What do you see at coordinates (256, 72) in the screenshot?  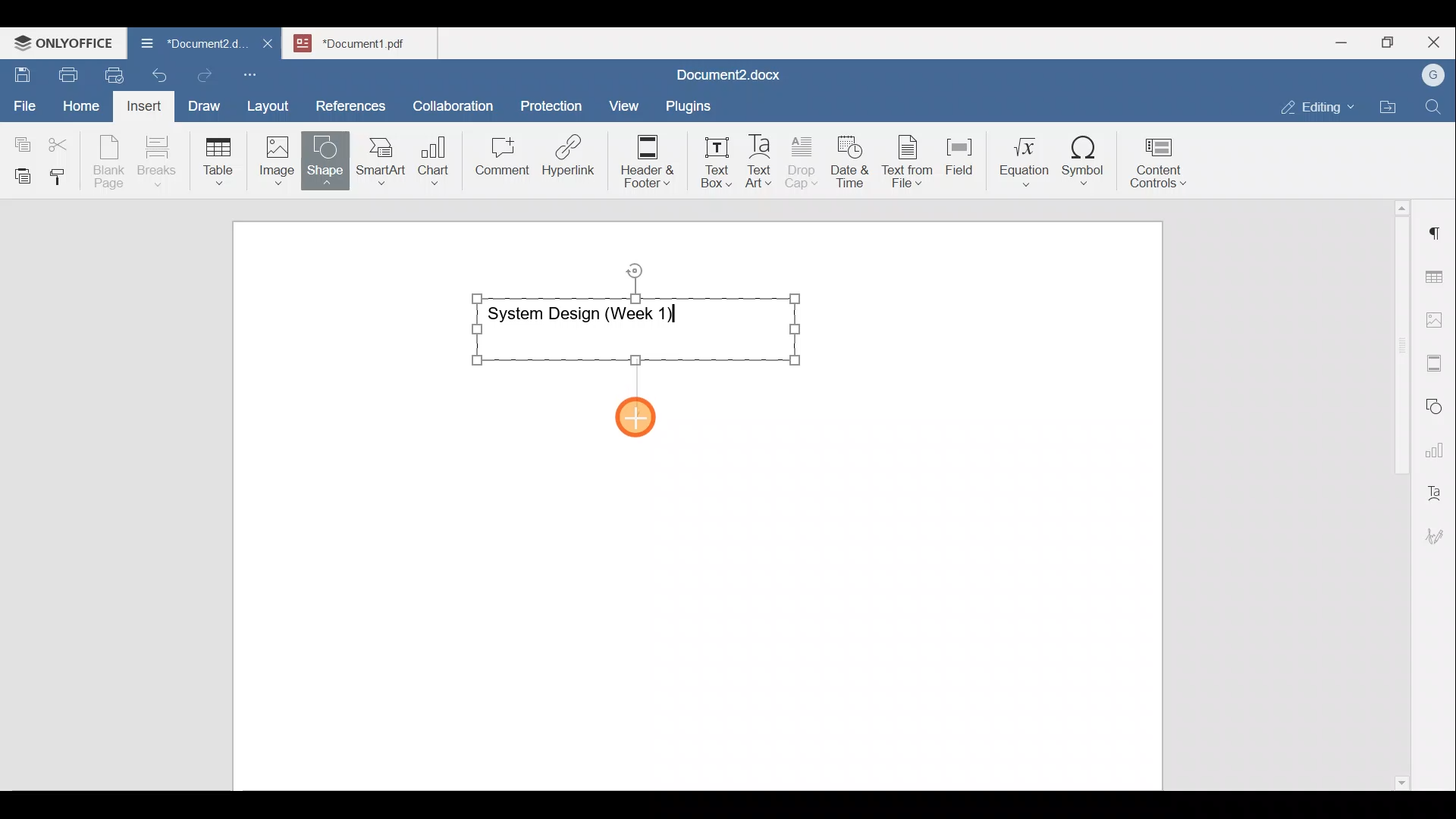 I see `Customize quick access toolbar` at bounding box center [256, 72].